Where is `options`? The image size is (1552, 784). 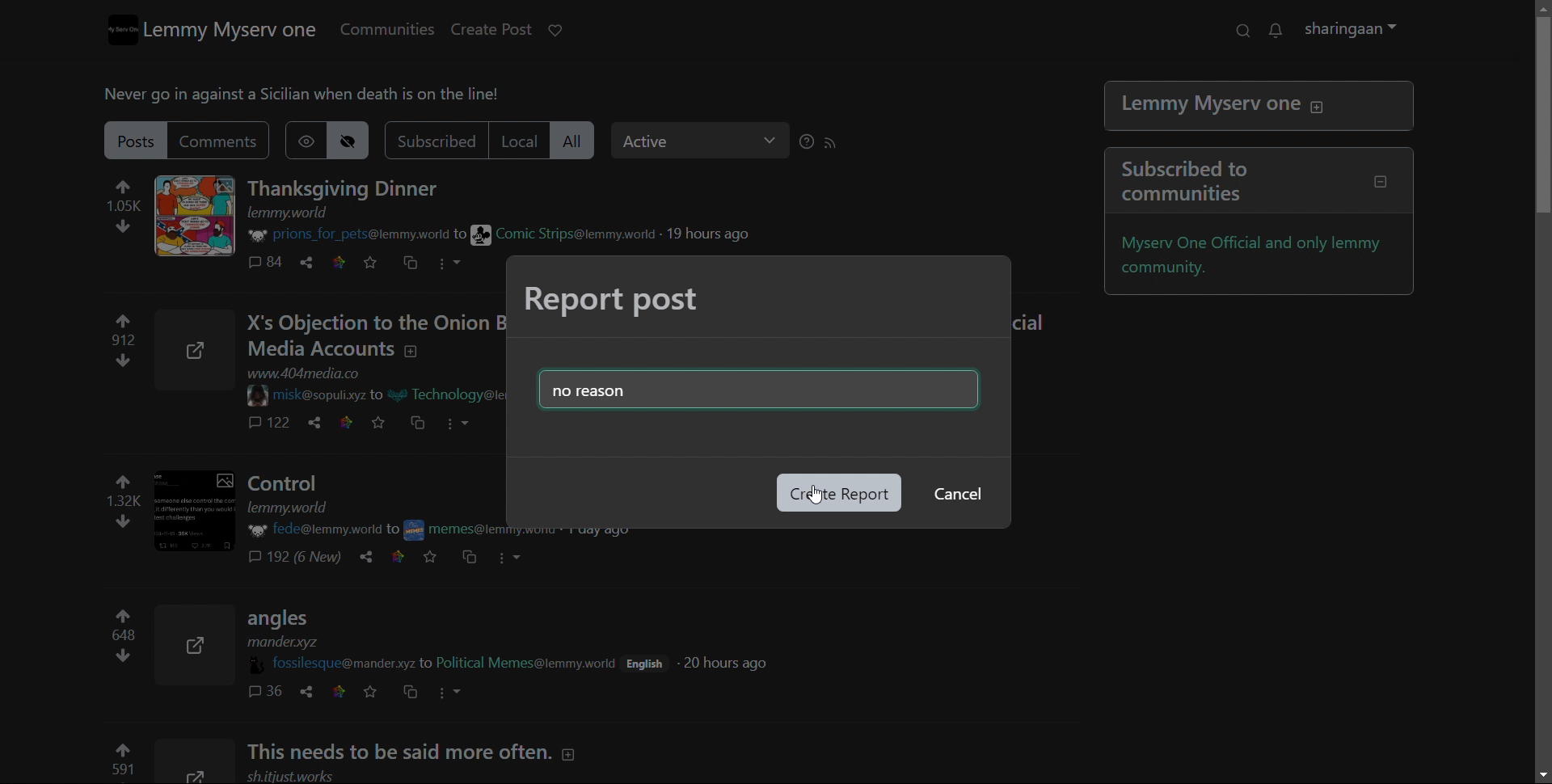 options is located at coordinates (459, 263).